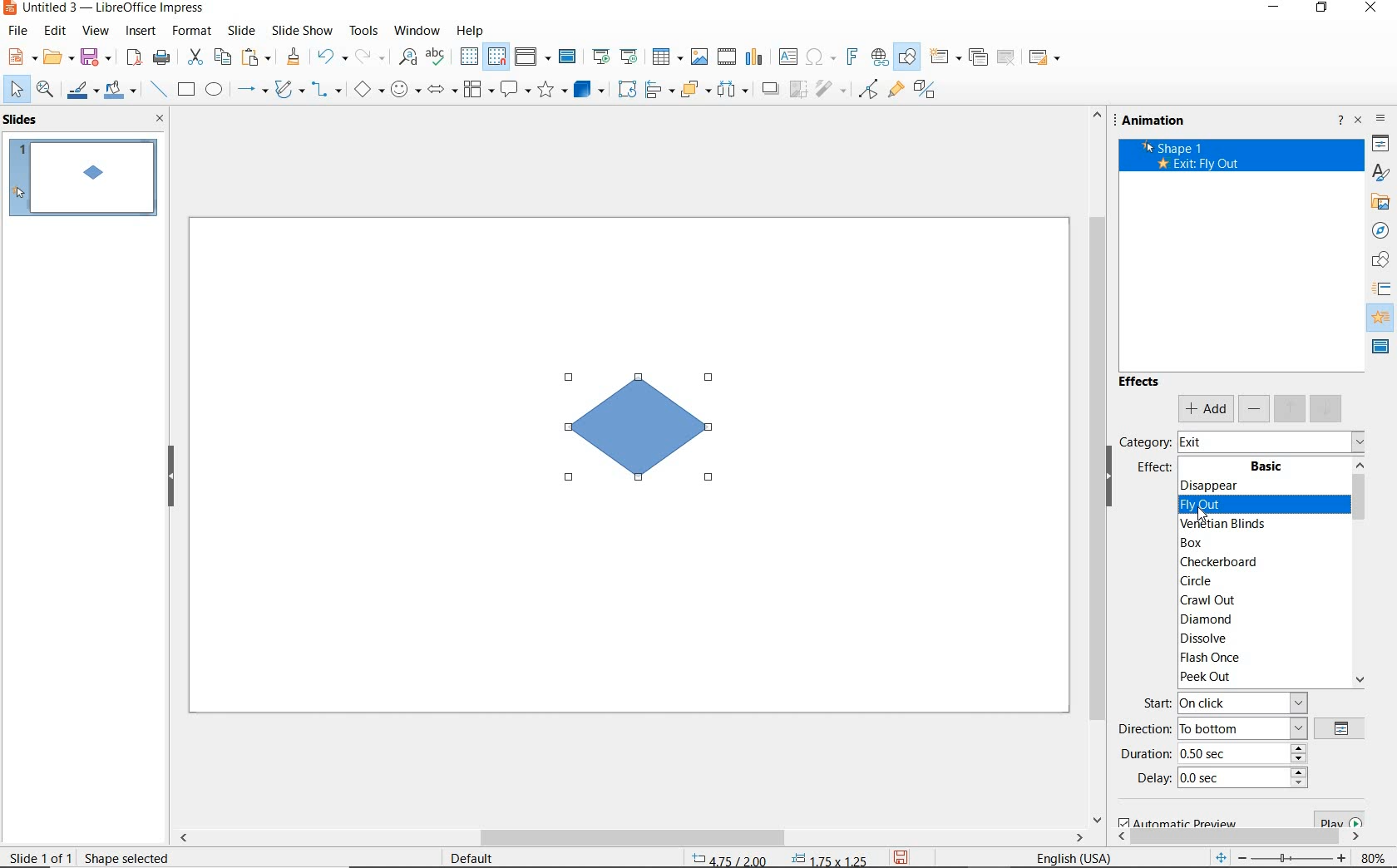  Describe the element at coordinates (214, 89) in the screenshot. I see `ellipse` at that location.